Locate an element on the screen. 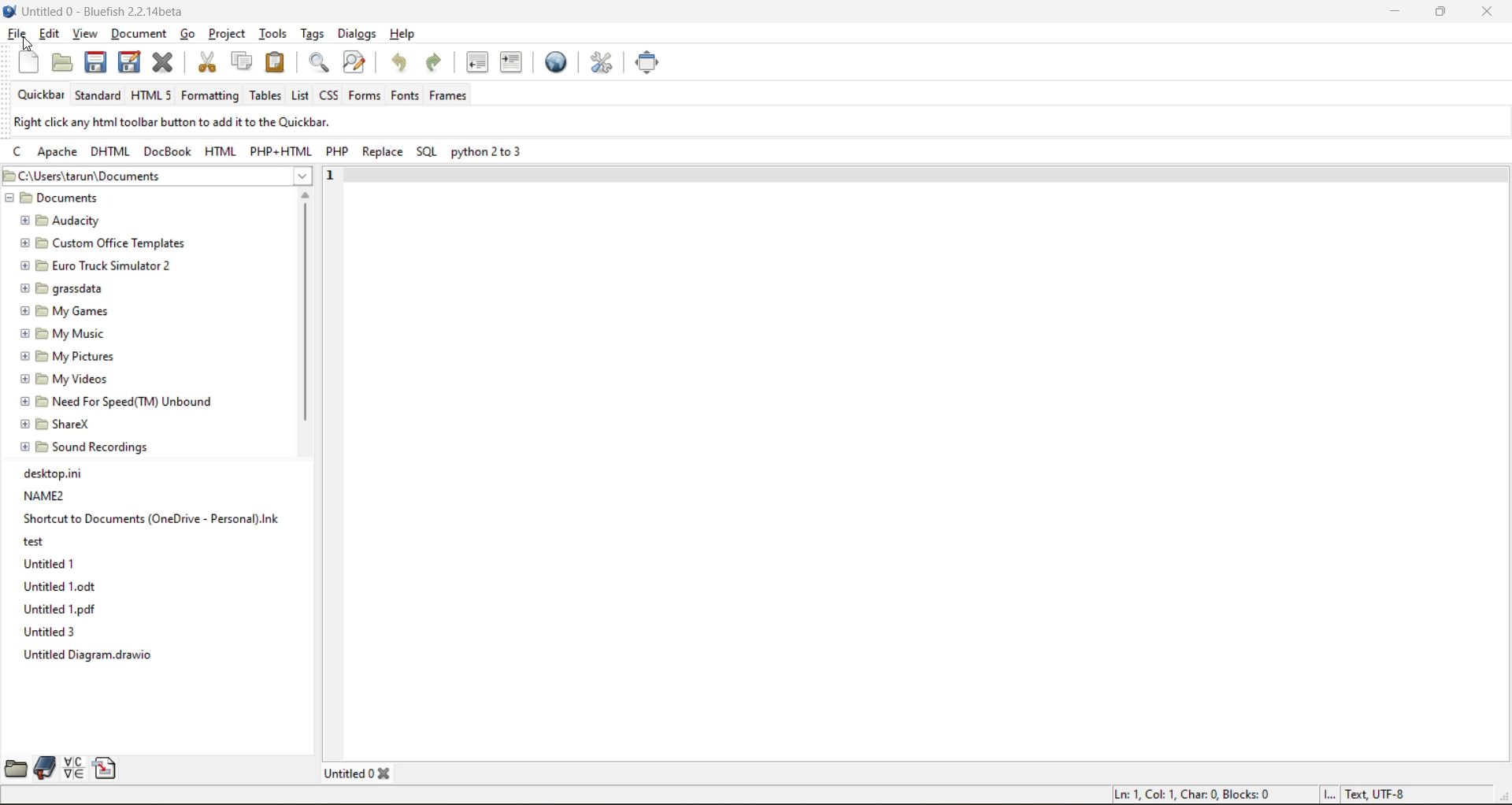 The image size is (1512, 805). find and replace is located at coordinates (355, 63).